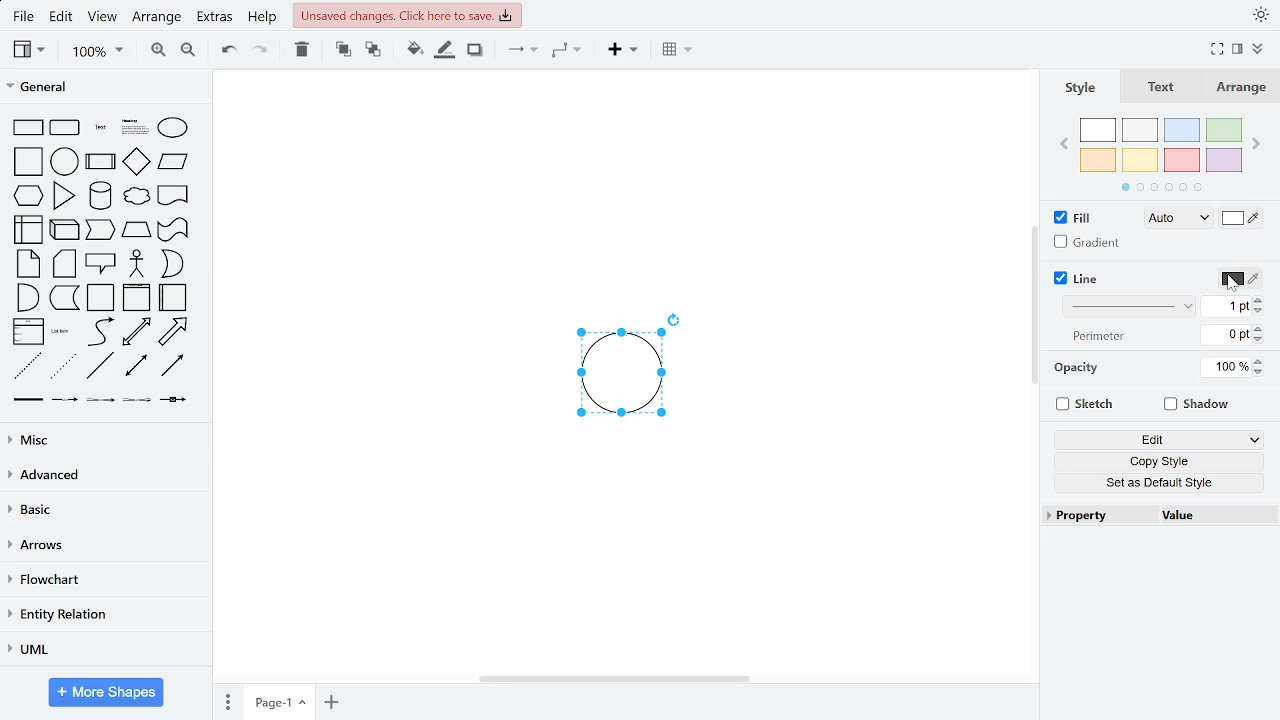 The image size is (1280, 720). What do you see at coordinates (30, 162) in the screenshot?
I see `square` at bounding box center [30, 162].